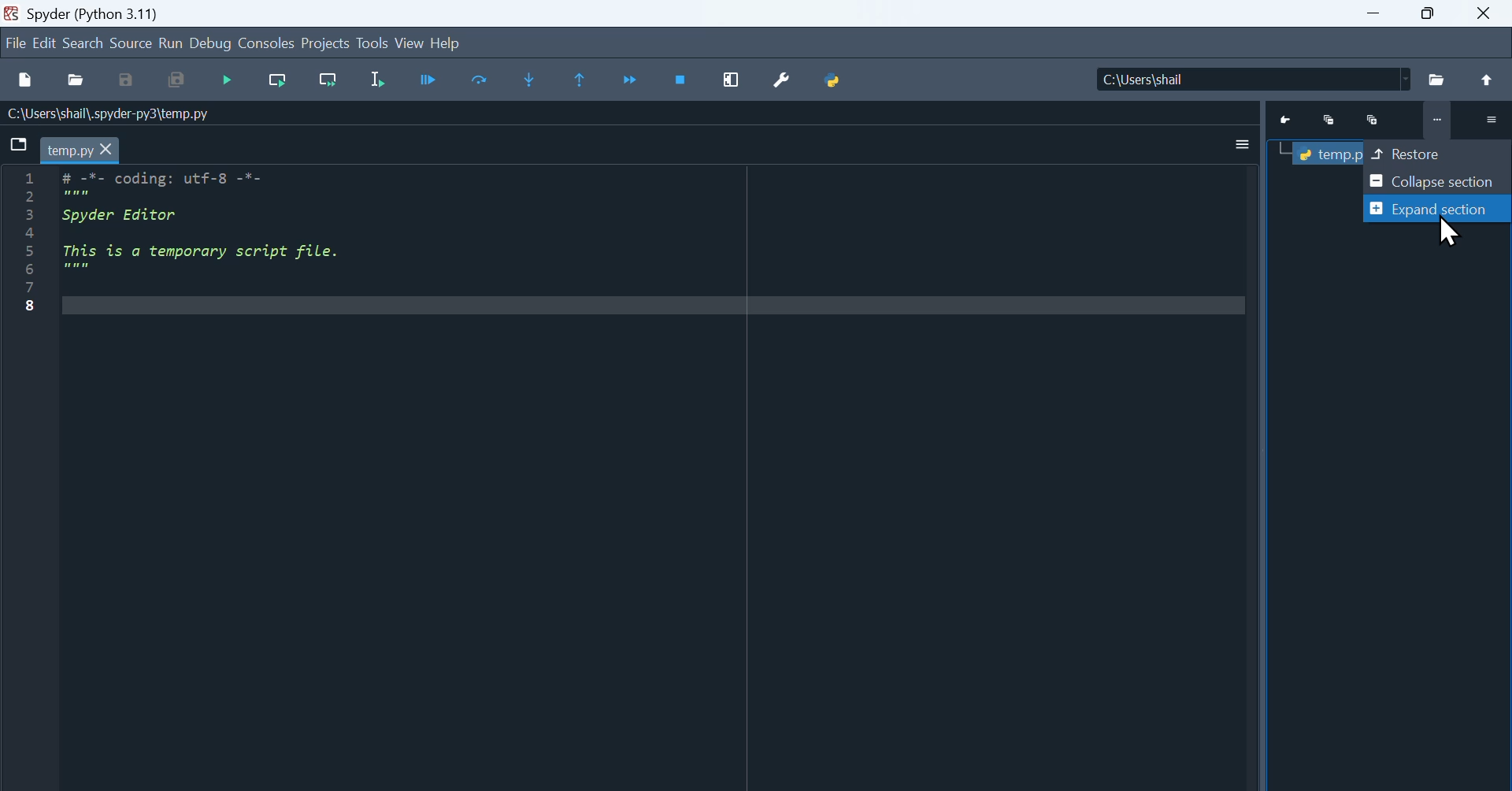 The image size is (1512, 791). What do you see at coordinates (1258, 79) in the screenshot?
I see `Location of the file` at bounding box center [1258, 79].